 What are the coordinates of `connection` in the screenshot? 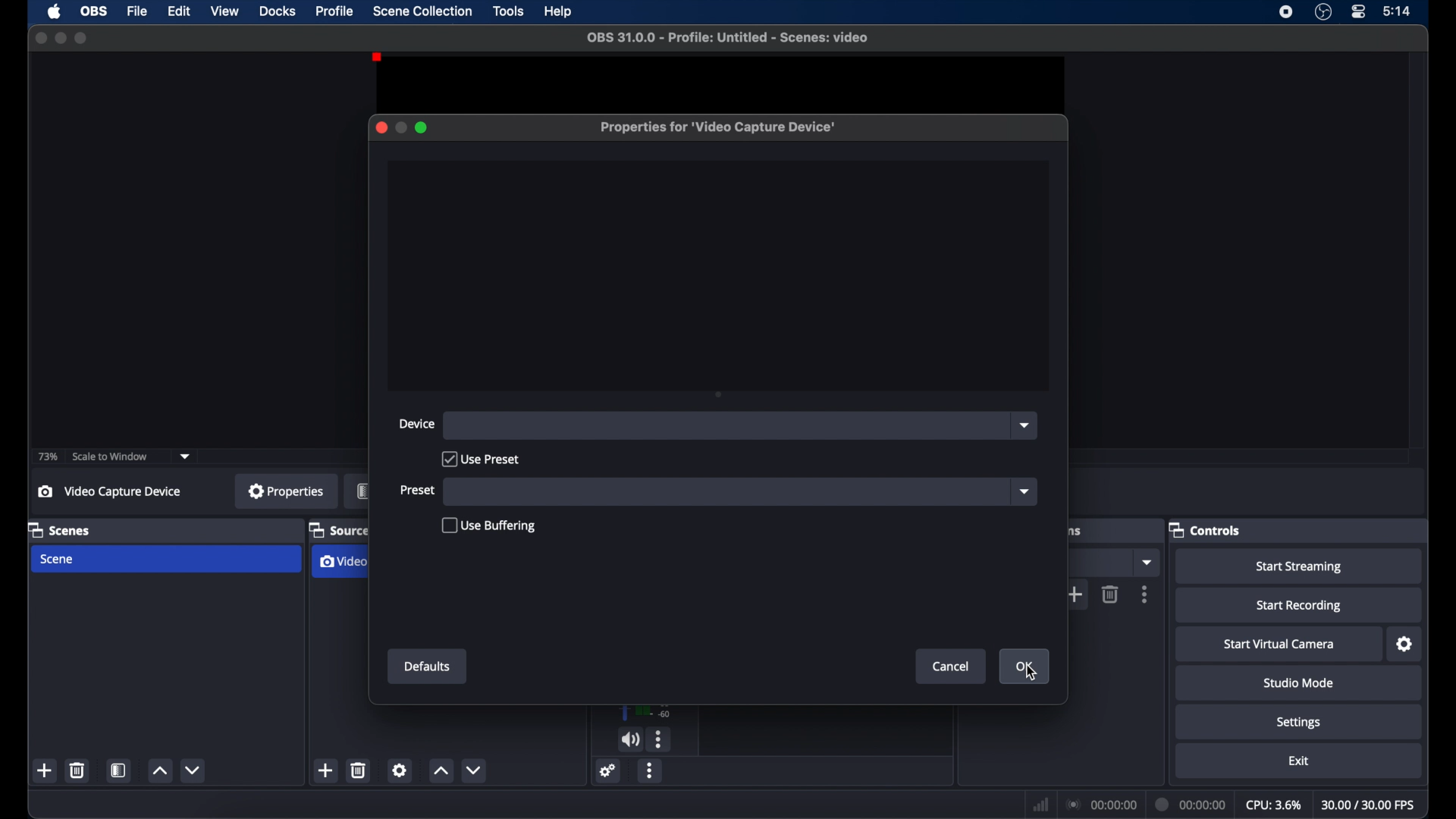 It's located at (1101, 805).